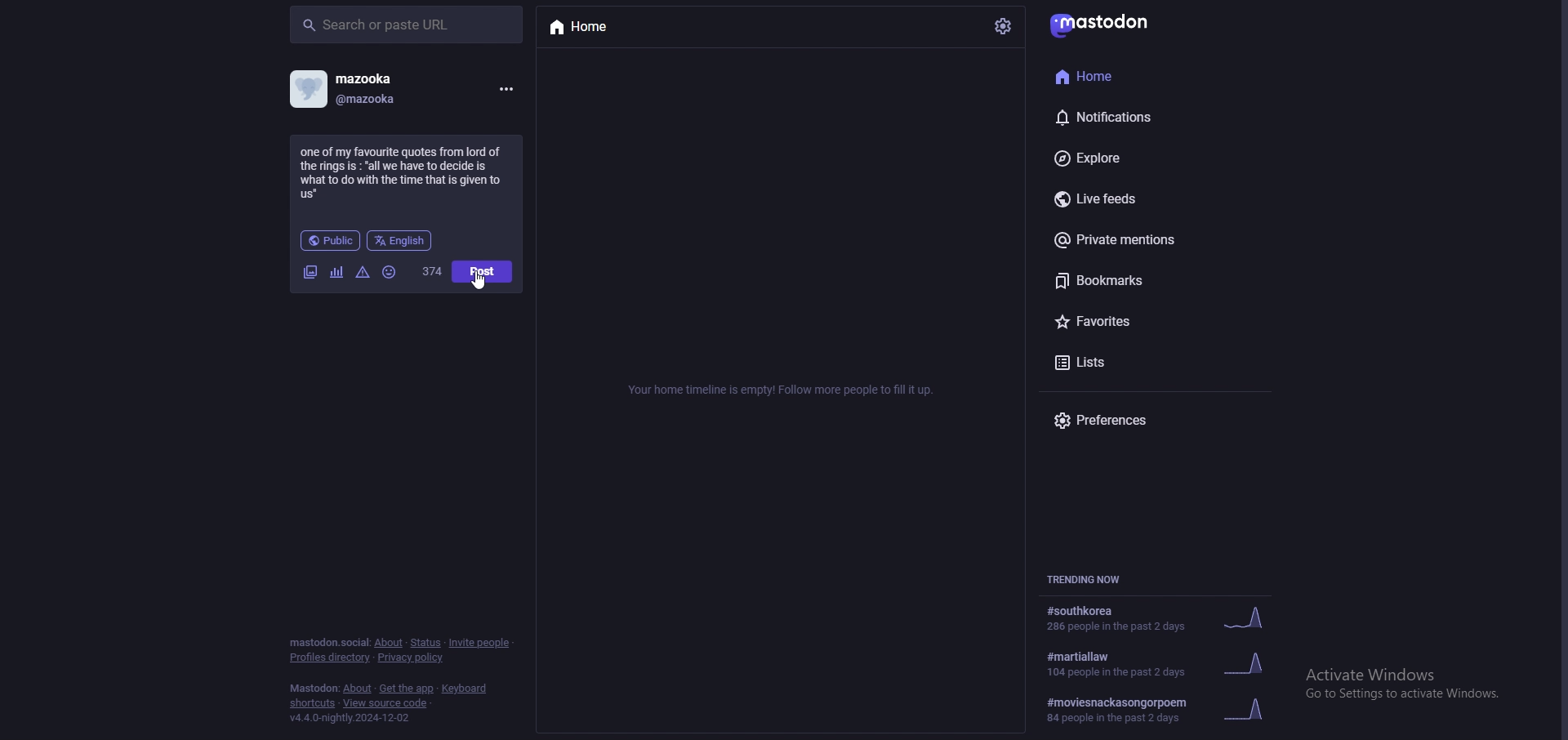 This screenshot has width=1568, height=740. I want to click on trending now, so click(1085, 578).